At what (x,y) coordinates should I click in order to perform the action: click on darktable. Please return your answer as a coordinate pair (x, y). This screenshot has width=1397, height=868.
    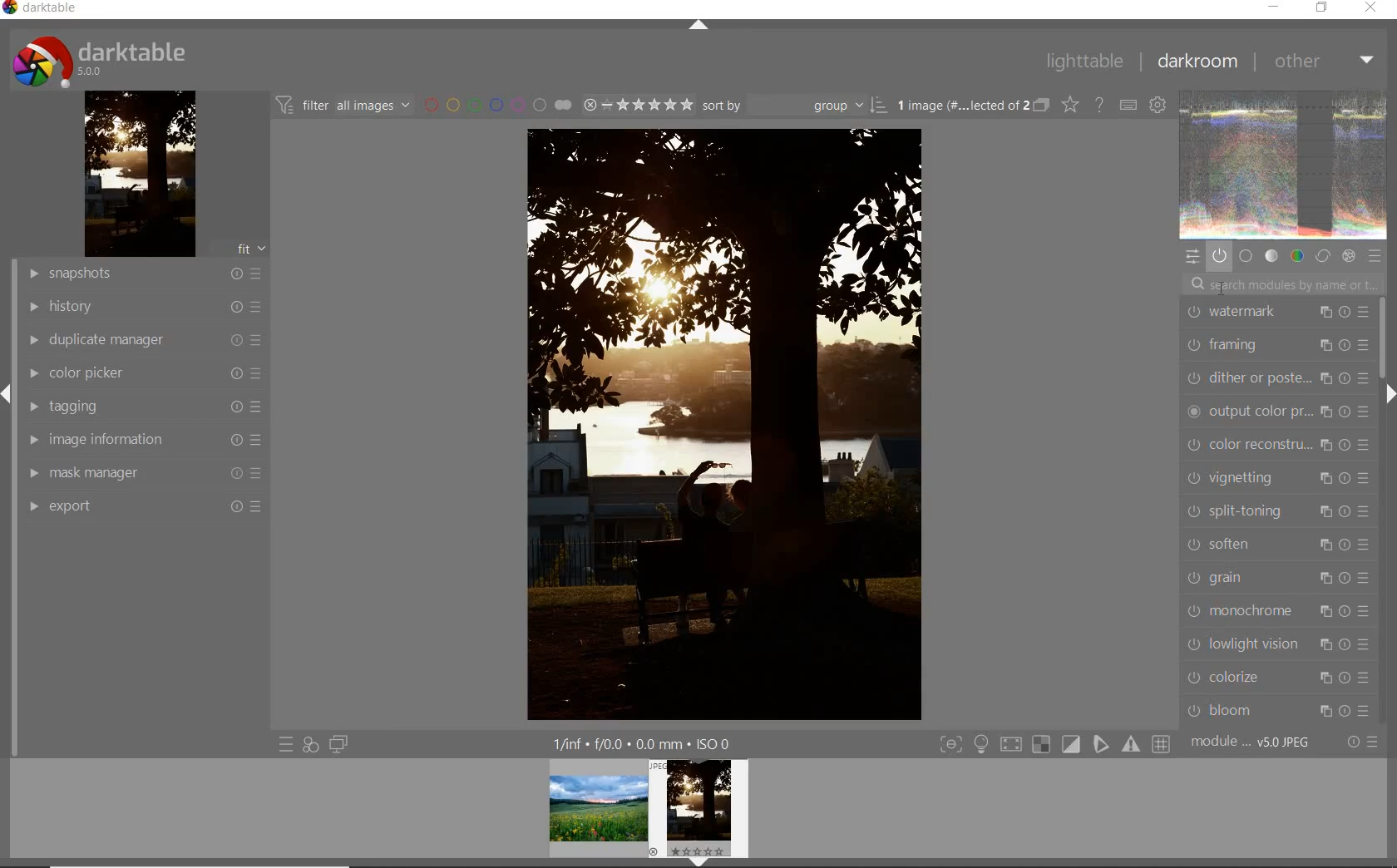
    Looking at the image, I should click on (99, 59).